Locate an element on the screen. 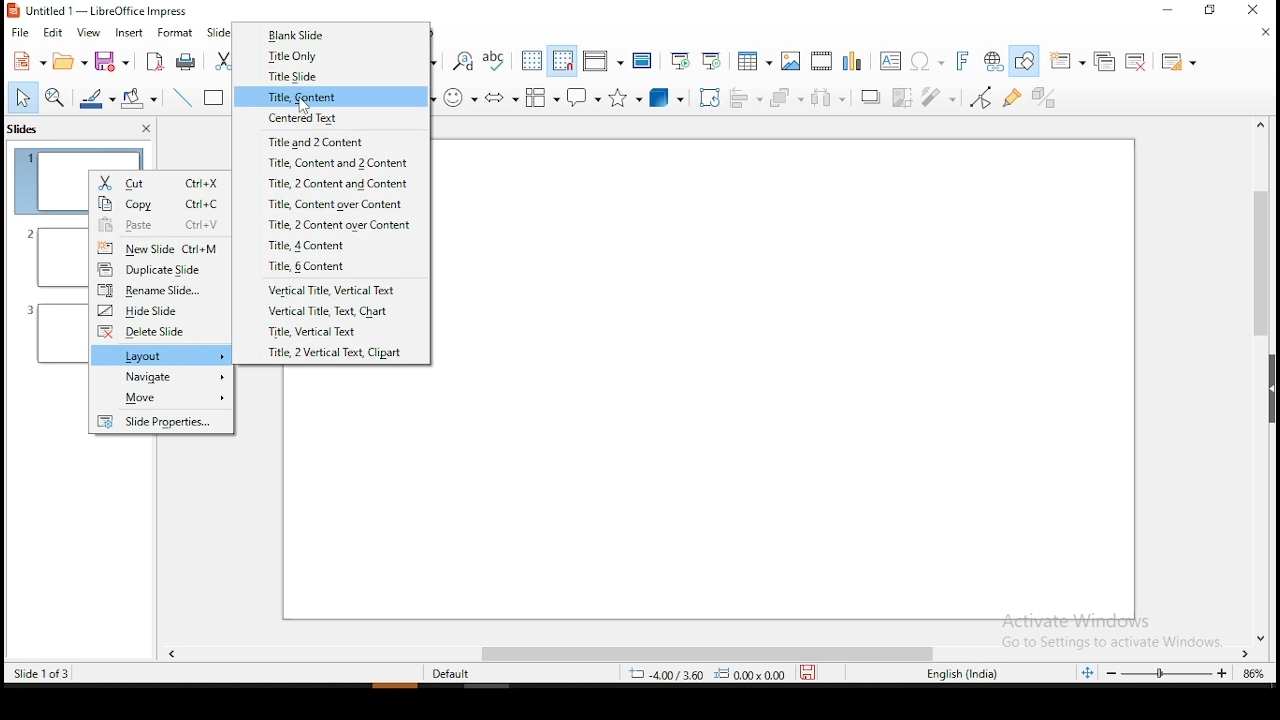 This screenshot has height=720, width=1280. 3D shapes is located at coordinates (668, 97).